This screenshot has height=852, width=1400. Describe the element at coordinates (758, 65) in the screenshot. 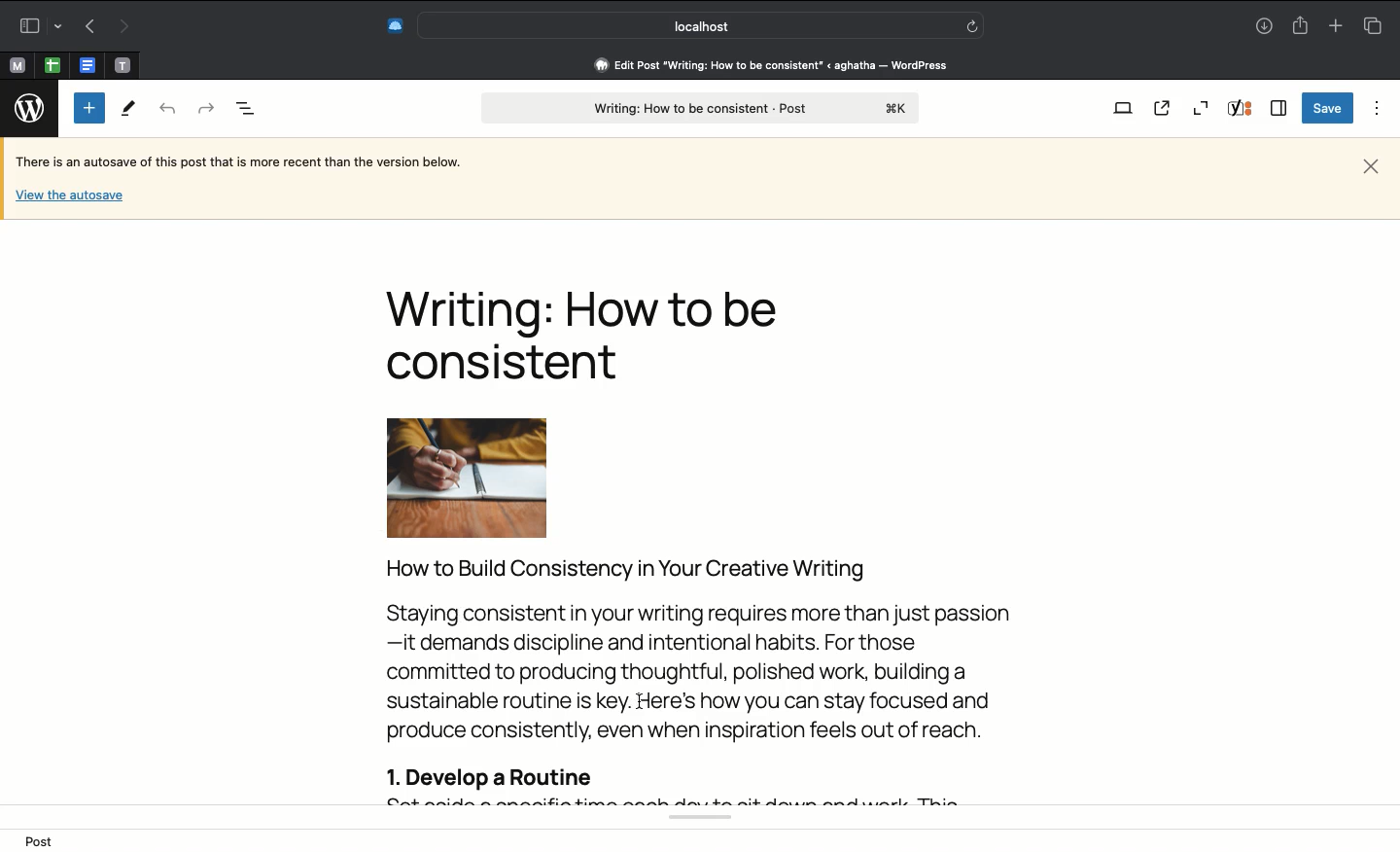

I see `Address` at that location.